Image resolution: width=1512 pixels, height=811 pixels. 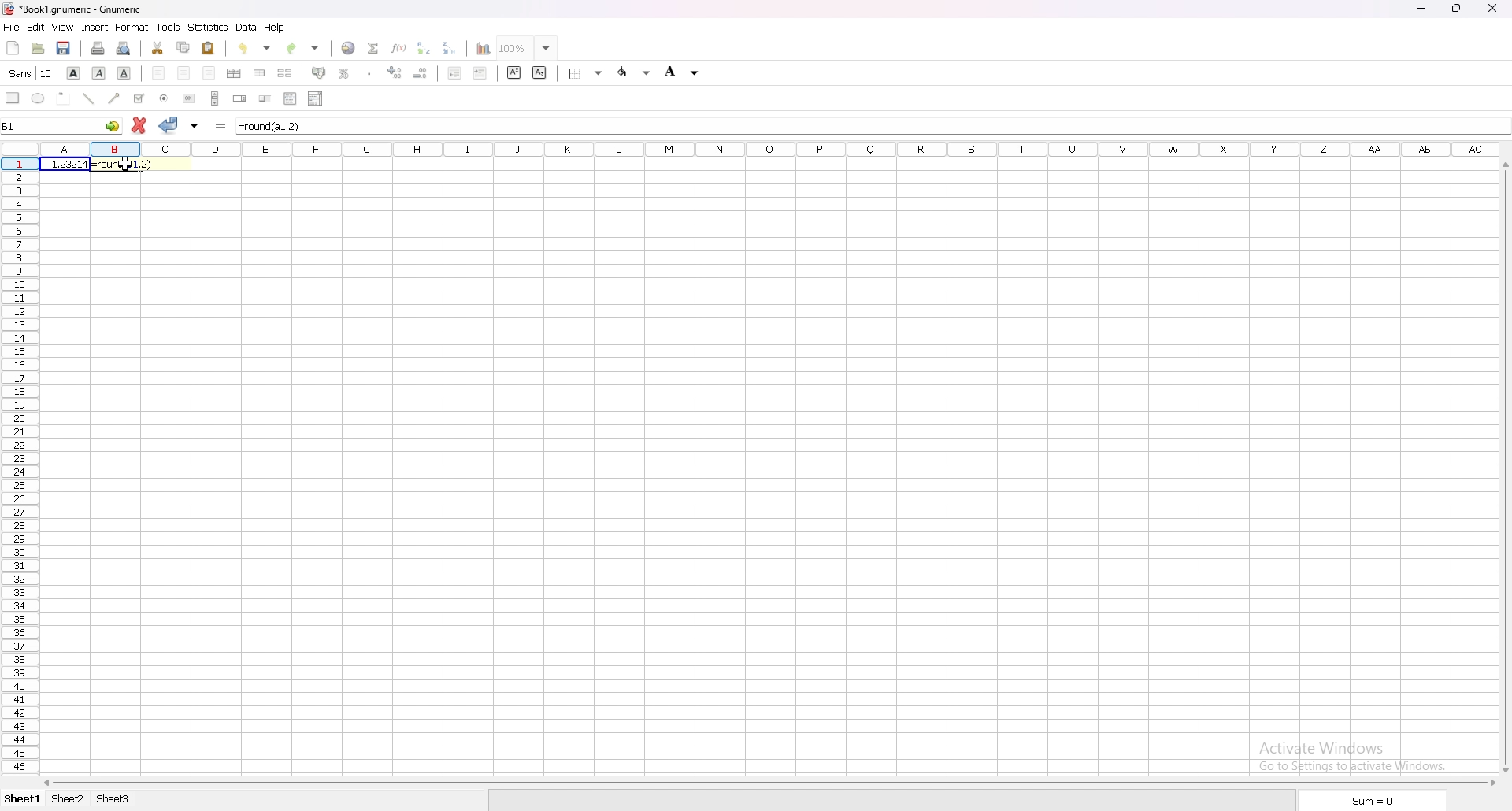 What do you see at coordinates (13, 47) in the screenshot?
I see `new` at bounding box center [13, 47].